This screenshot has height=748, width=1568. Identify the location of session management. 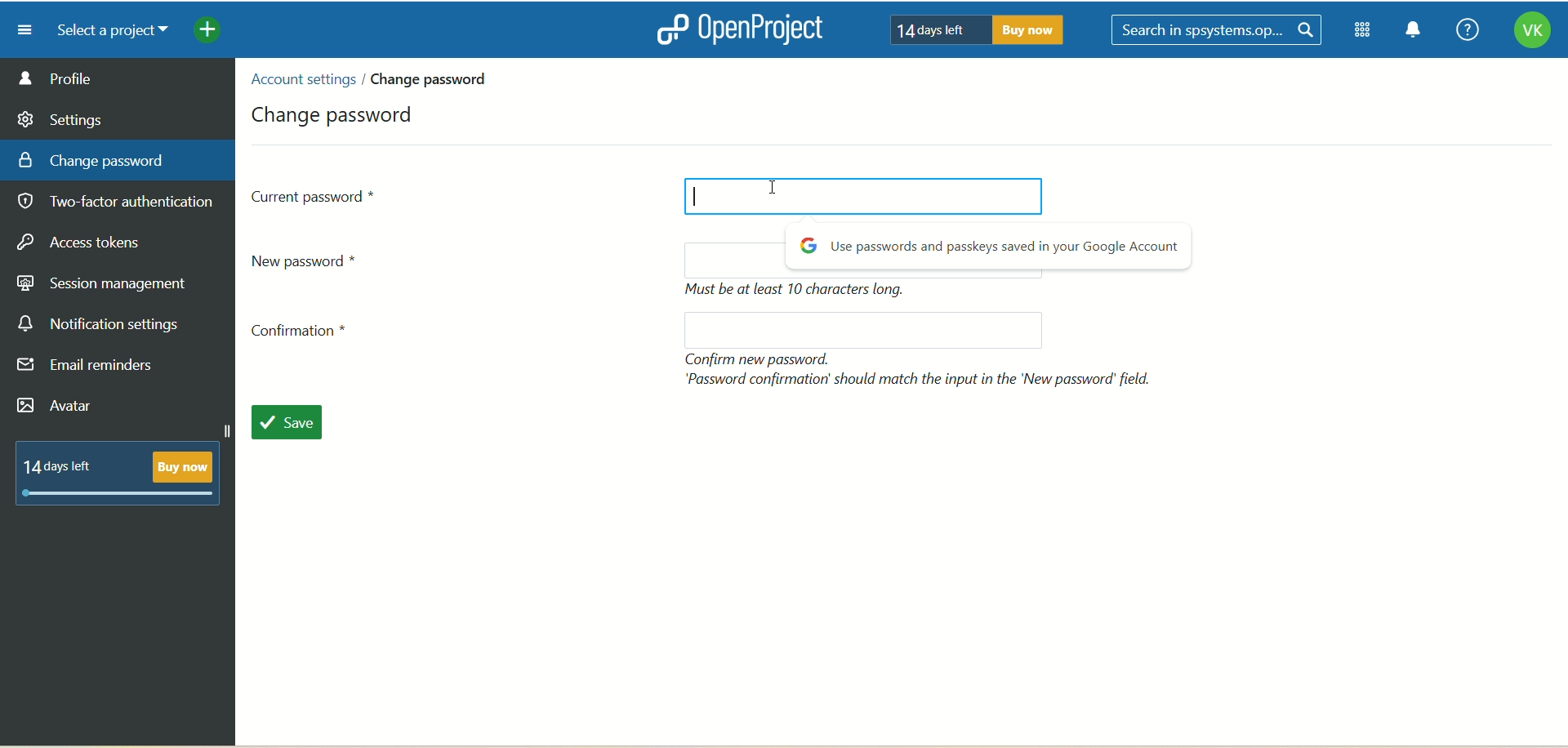
(104, 281).